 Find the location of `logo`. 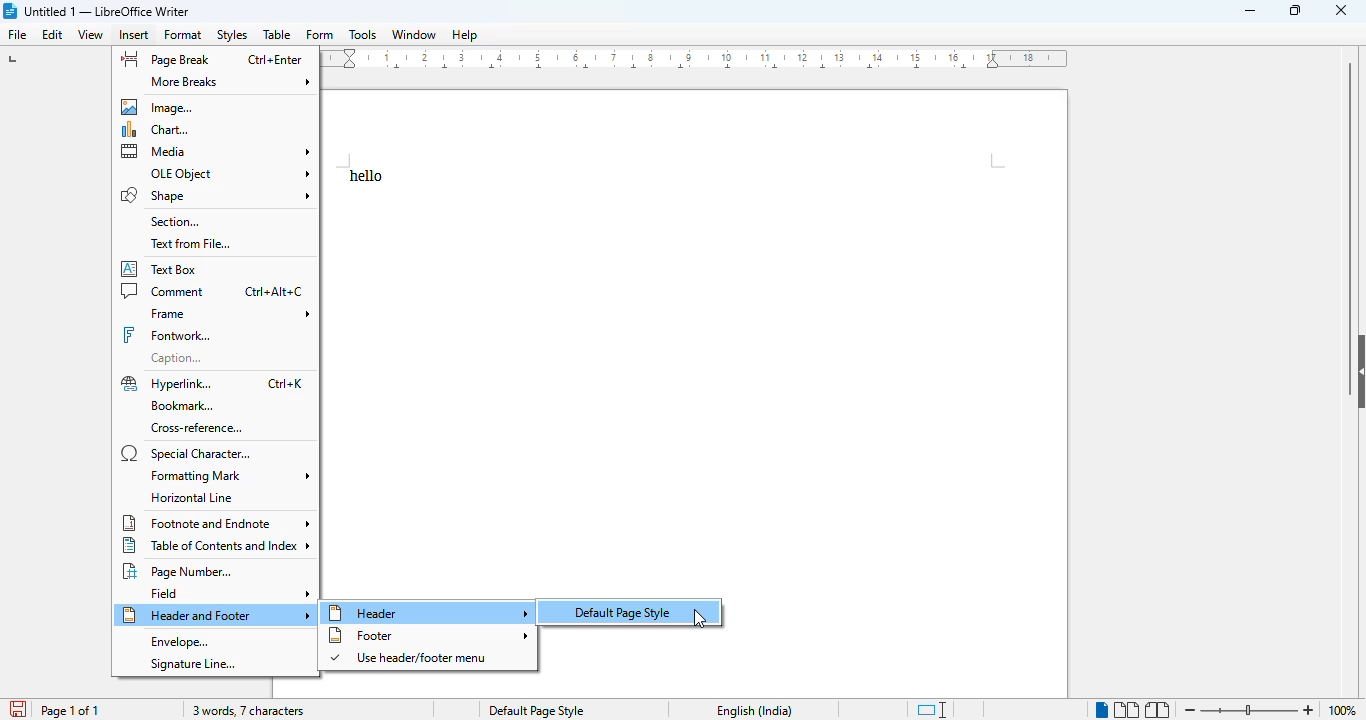

logo is located at coordinates (9, 11).